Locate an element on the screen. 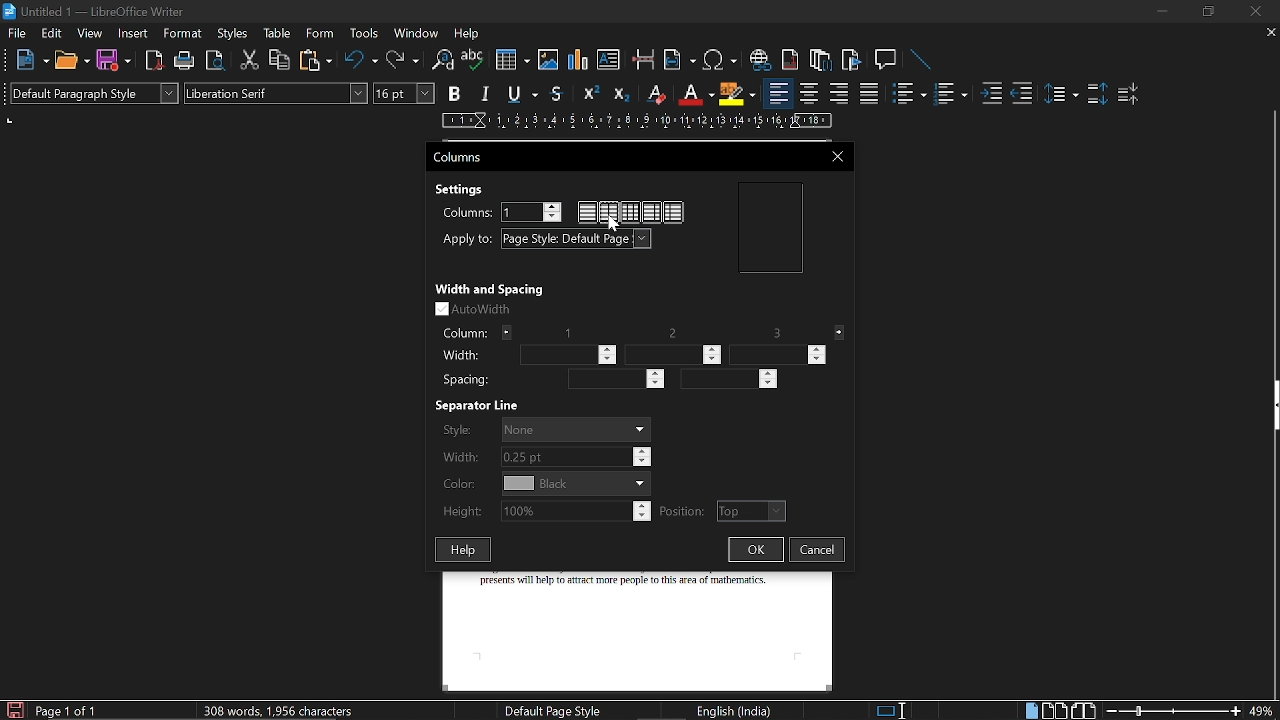  Insert bookmark is located at coordinates (853, 61).